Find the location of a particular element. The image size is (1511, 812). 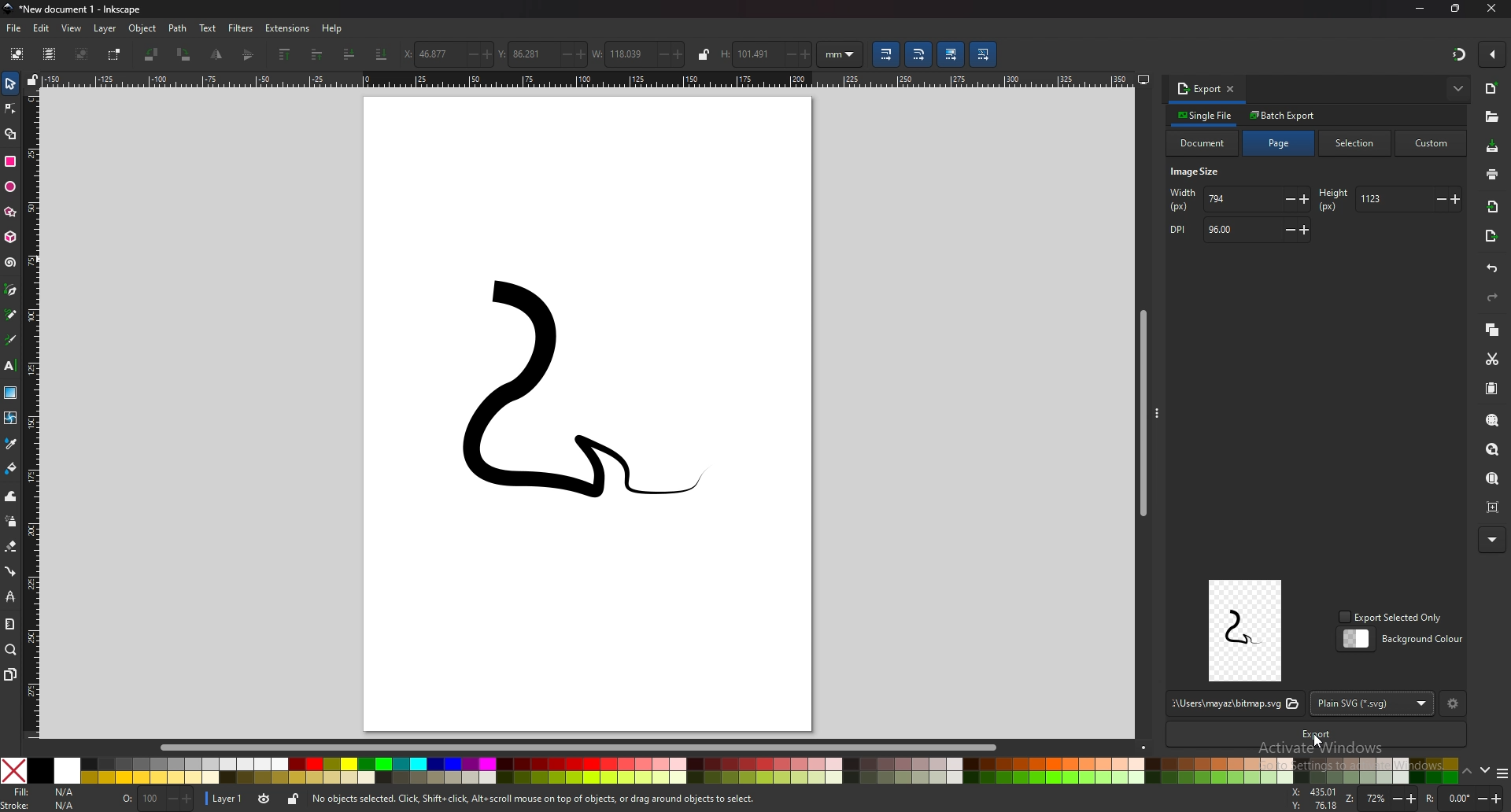

scroll bar is located at coordinates (590, 746).